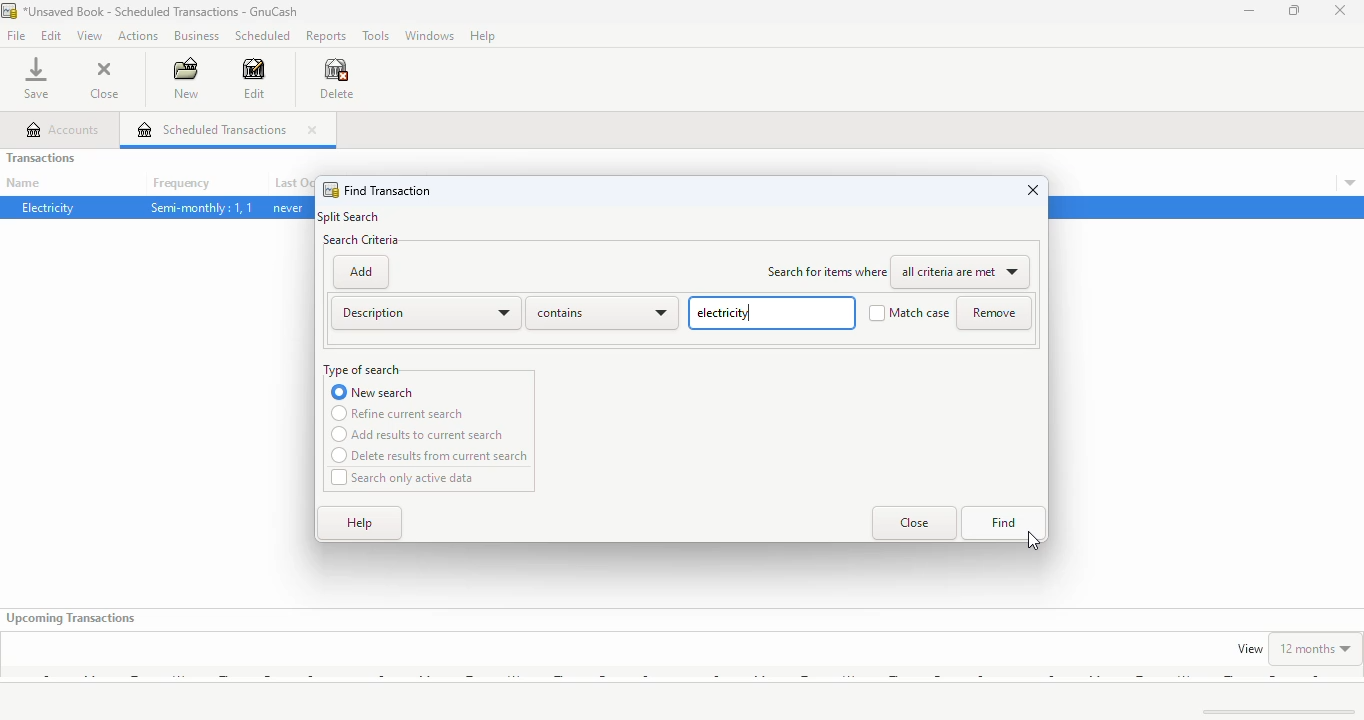 The height and width of the screenshot is (720, 1364). Describe the element at coordinates (138, 36) in the screenshot. I see `actions` at that location.